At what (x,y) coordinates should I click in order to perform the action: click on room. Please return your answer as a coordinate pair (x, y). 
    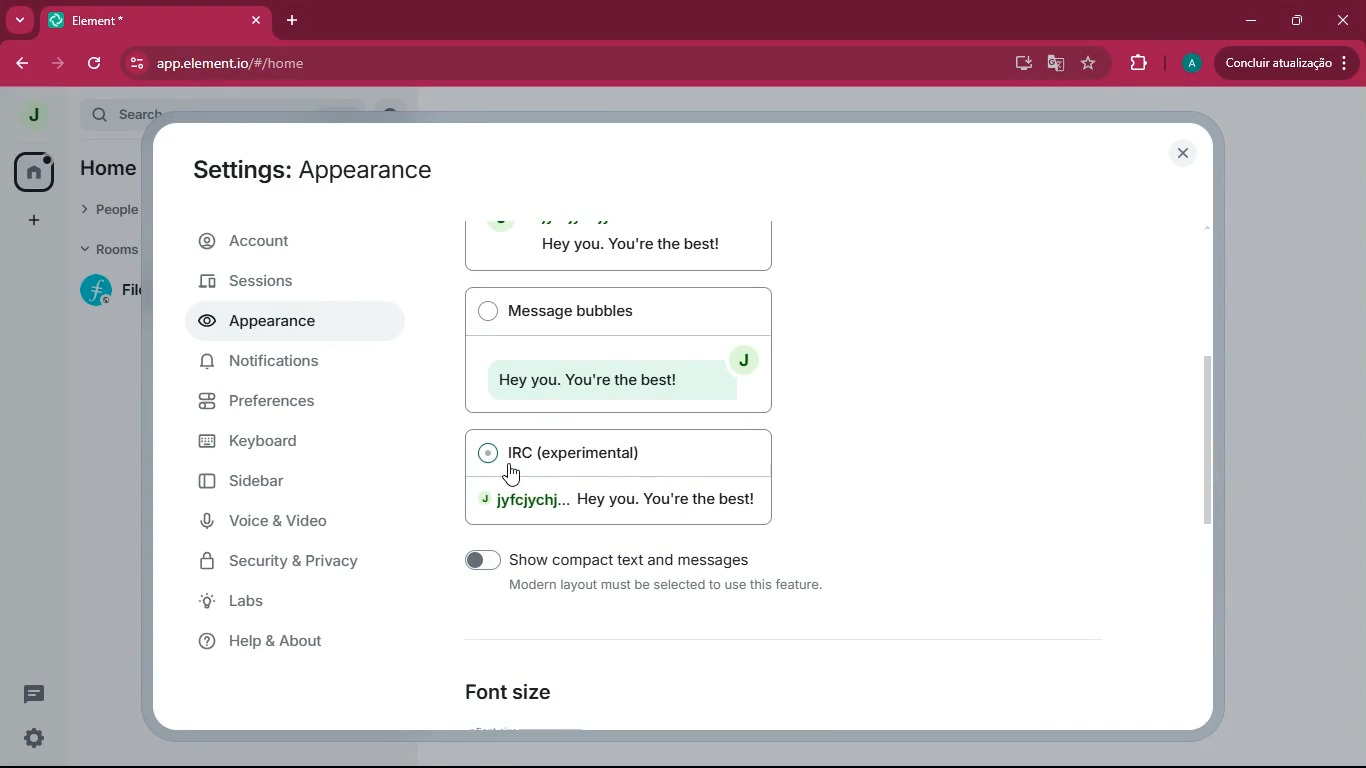
    Looking at the image, I should click on (105, 291).